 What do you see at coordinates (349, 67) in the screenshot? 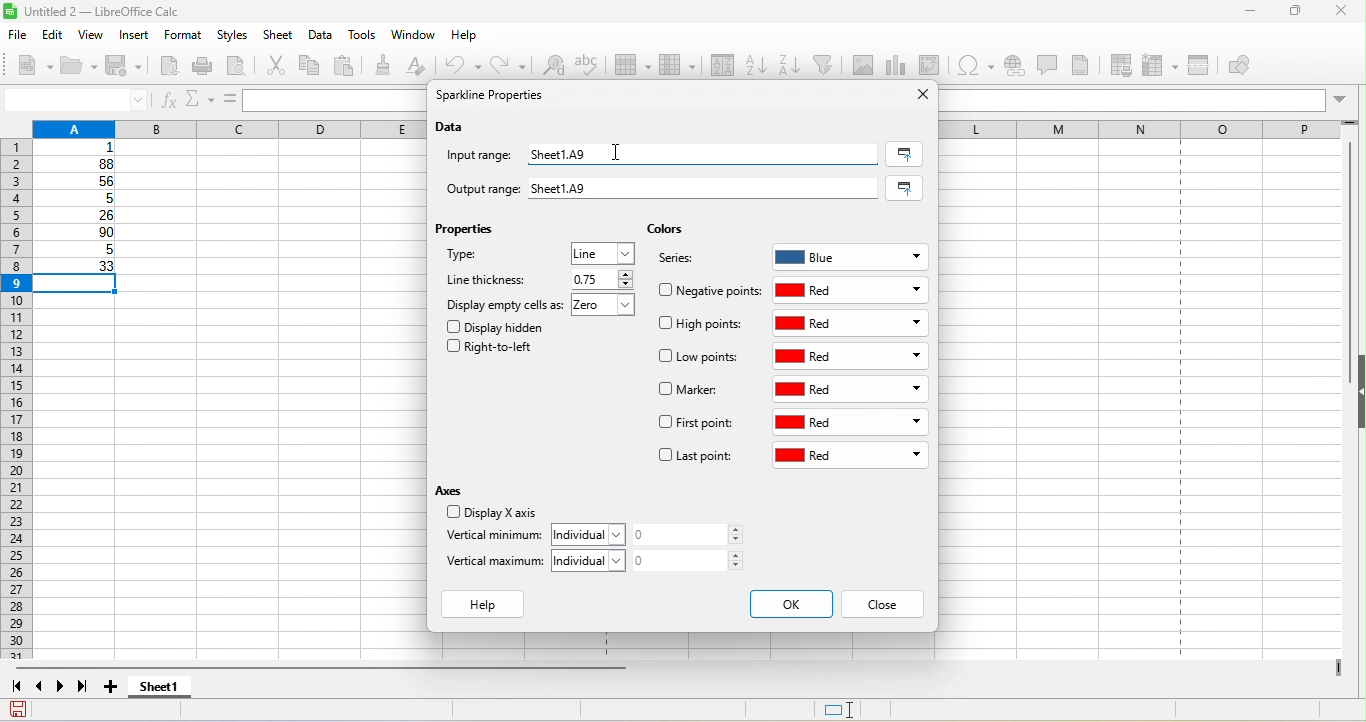
I see `paste` at bounding box center [349, 67].